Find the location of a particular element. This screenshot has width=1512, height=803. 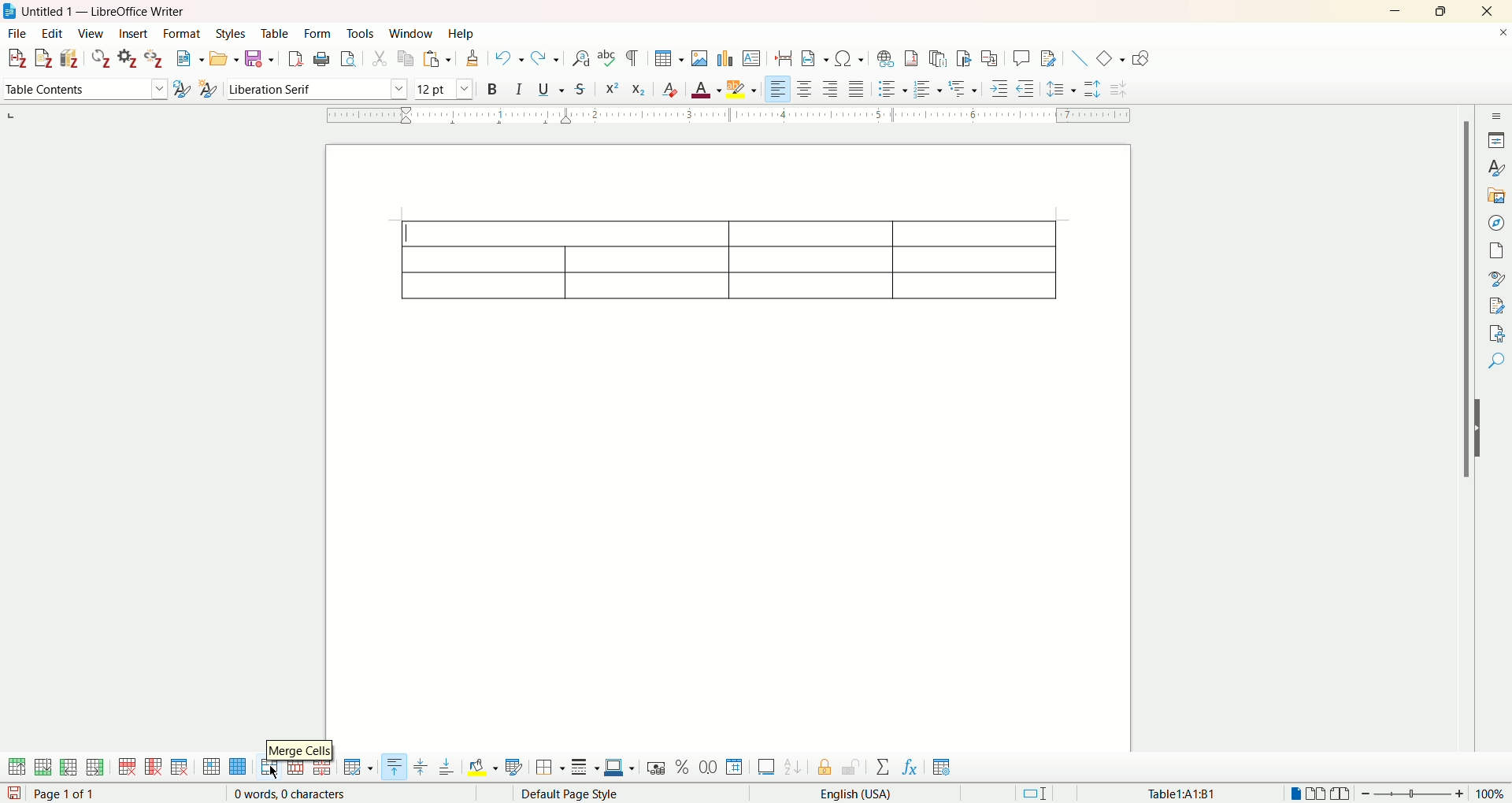

font color is located at coordinates (706, 88).